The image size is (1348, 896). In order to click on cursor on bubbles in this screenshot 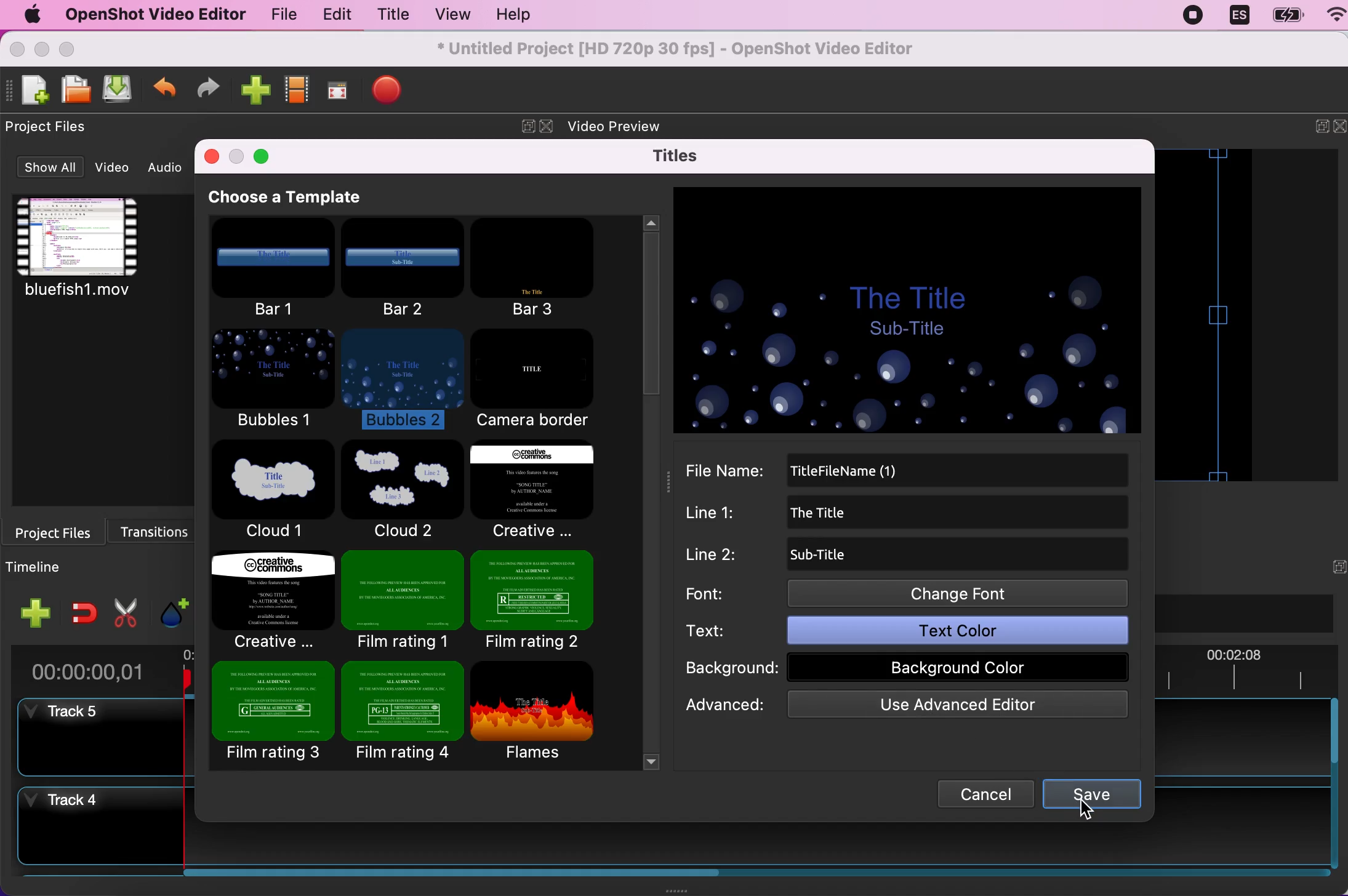, I will do `click(431, 358)`.